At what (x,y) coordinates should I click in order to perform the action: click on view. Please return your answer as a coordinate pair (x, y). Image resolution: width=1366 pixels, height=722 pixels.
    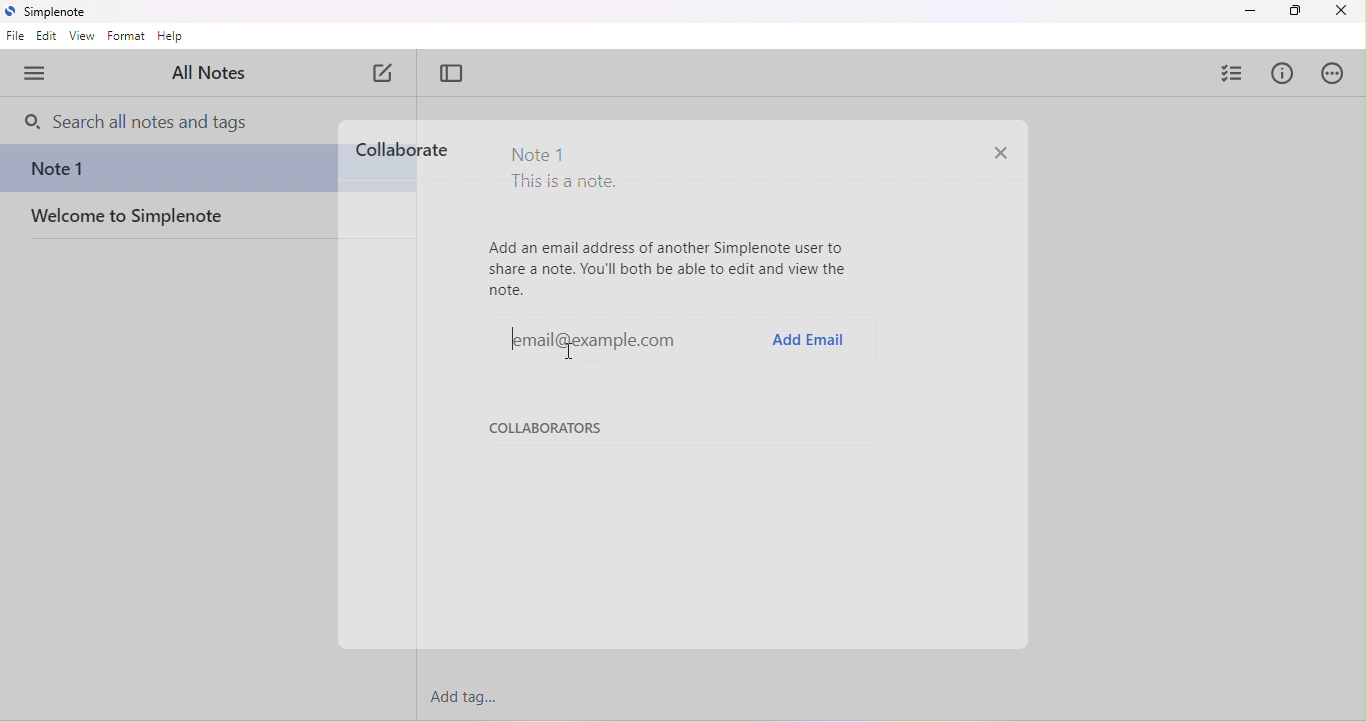
    Looking at the image, I should click on (82, 37).